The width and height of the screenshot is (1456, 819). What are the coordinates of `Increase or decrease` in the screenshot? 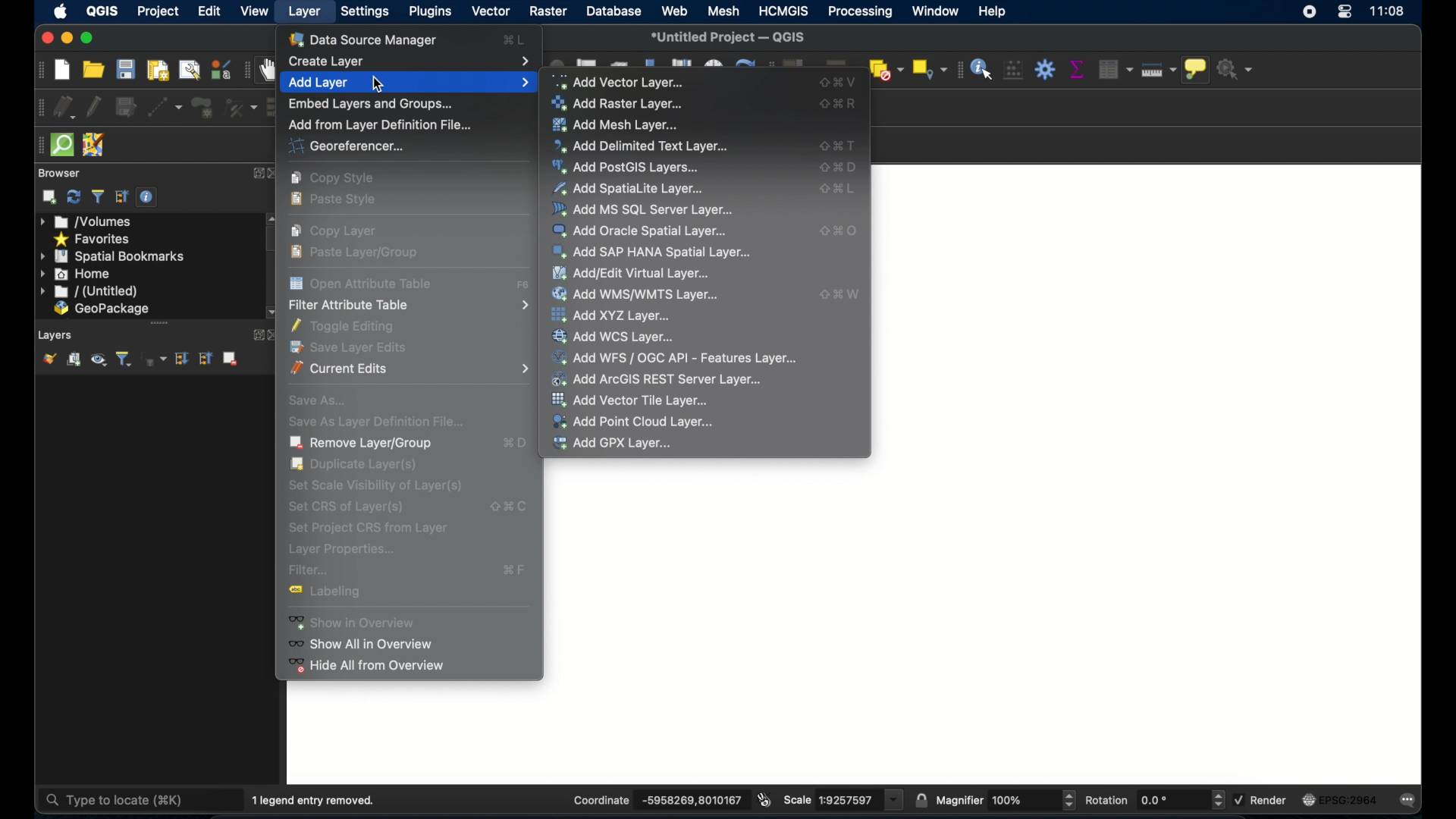 It's located at (1068, 800).